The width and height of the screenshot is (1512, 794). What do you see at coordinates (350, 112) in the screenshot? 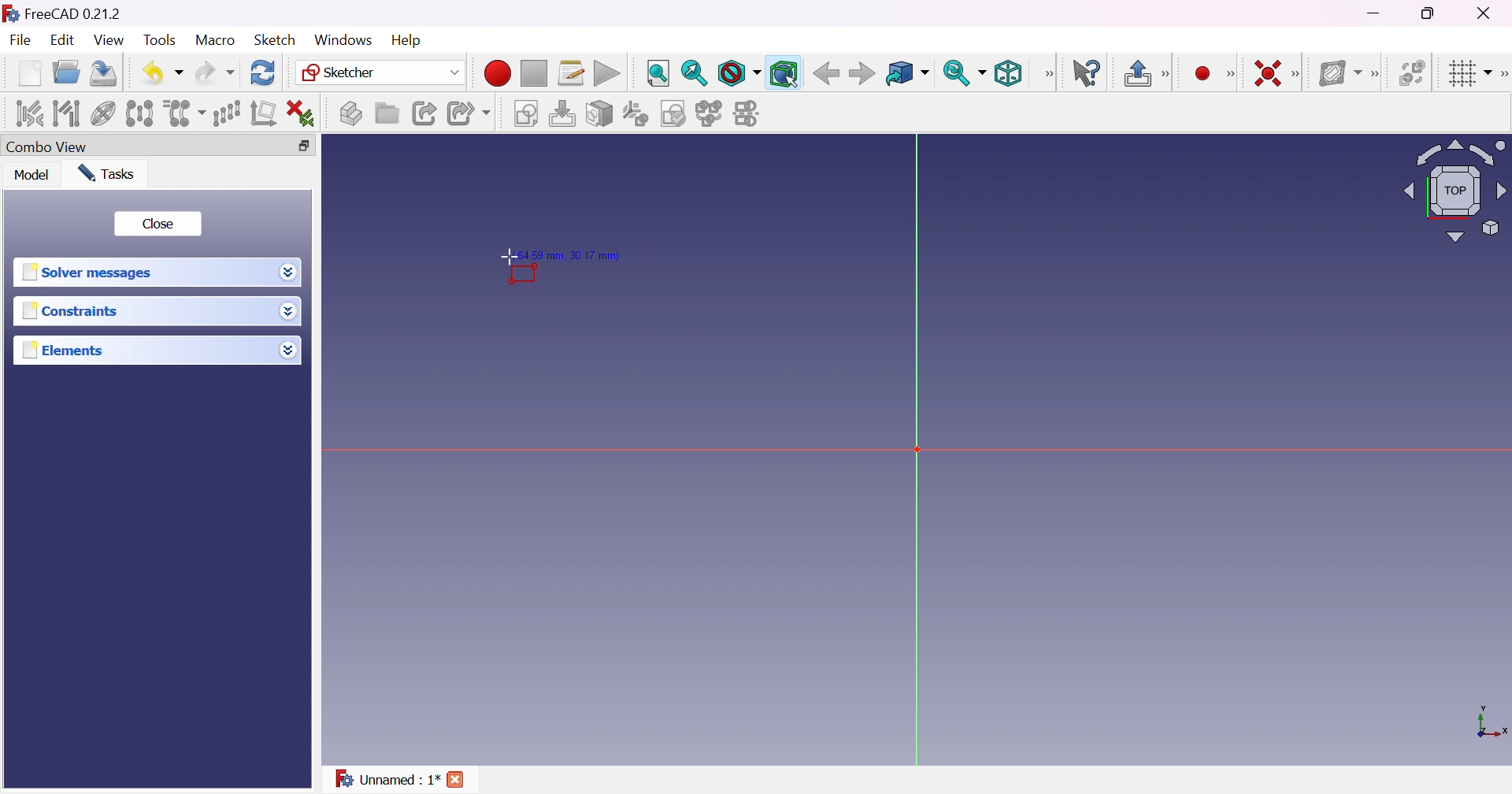
I see `Create part` at bounding box center [350, 112].